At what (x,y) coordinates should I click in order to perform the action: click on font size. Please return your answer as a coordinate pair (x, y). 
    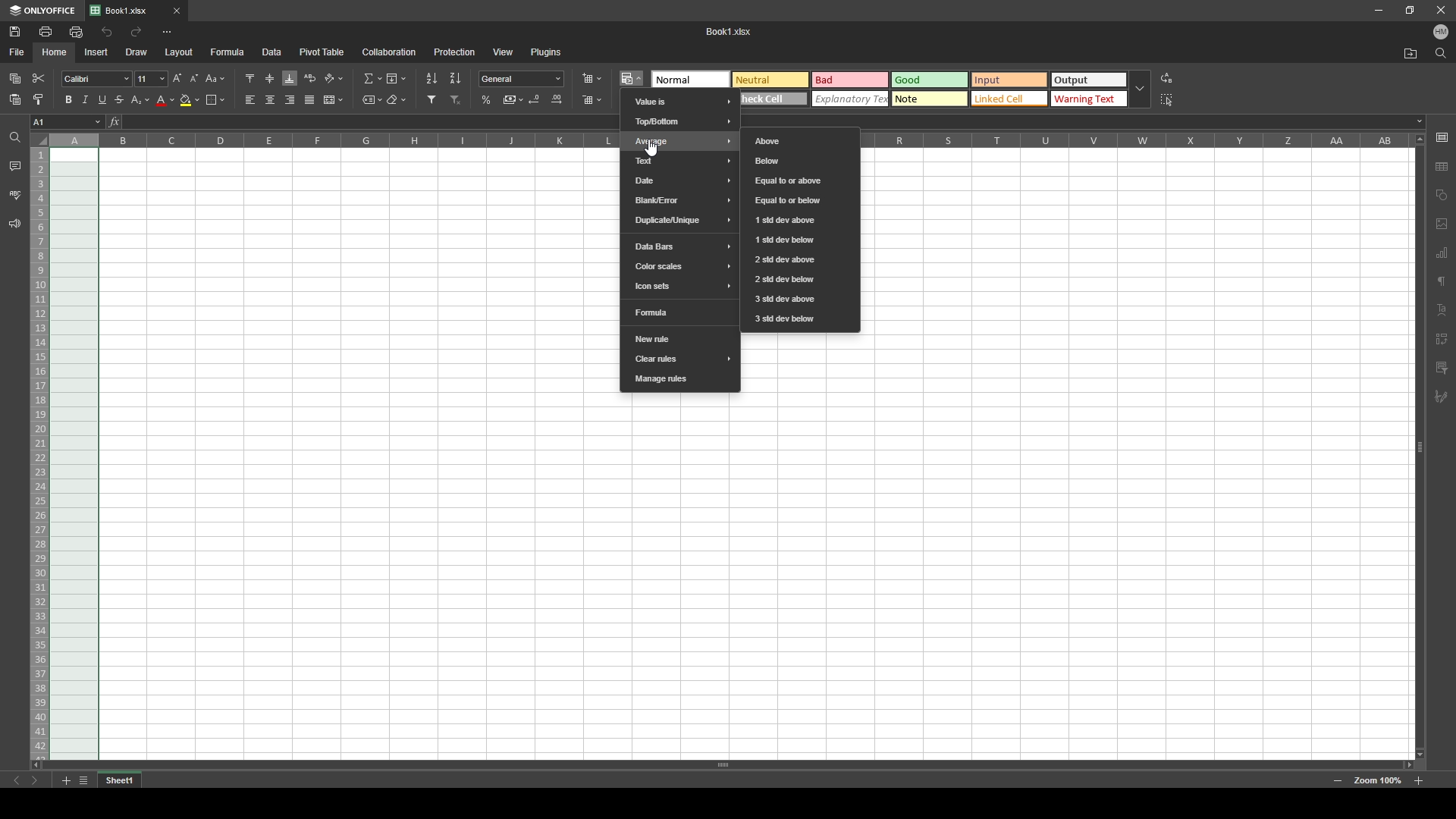
    Looking at the image, I should click on (151, 79).